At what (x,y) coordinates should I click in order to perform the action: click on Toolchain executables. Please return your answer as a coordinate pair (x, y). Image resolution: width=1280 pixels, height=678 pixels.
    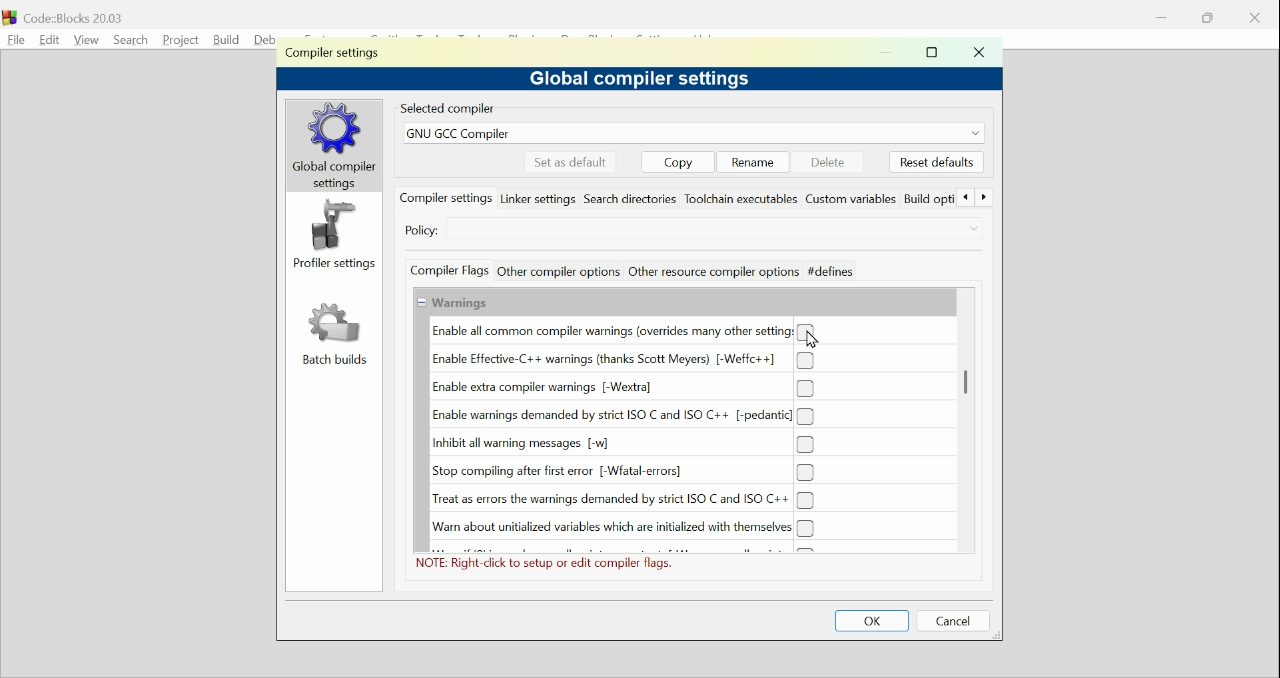
    Looking at the image, I should click on (743, 200).